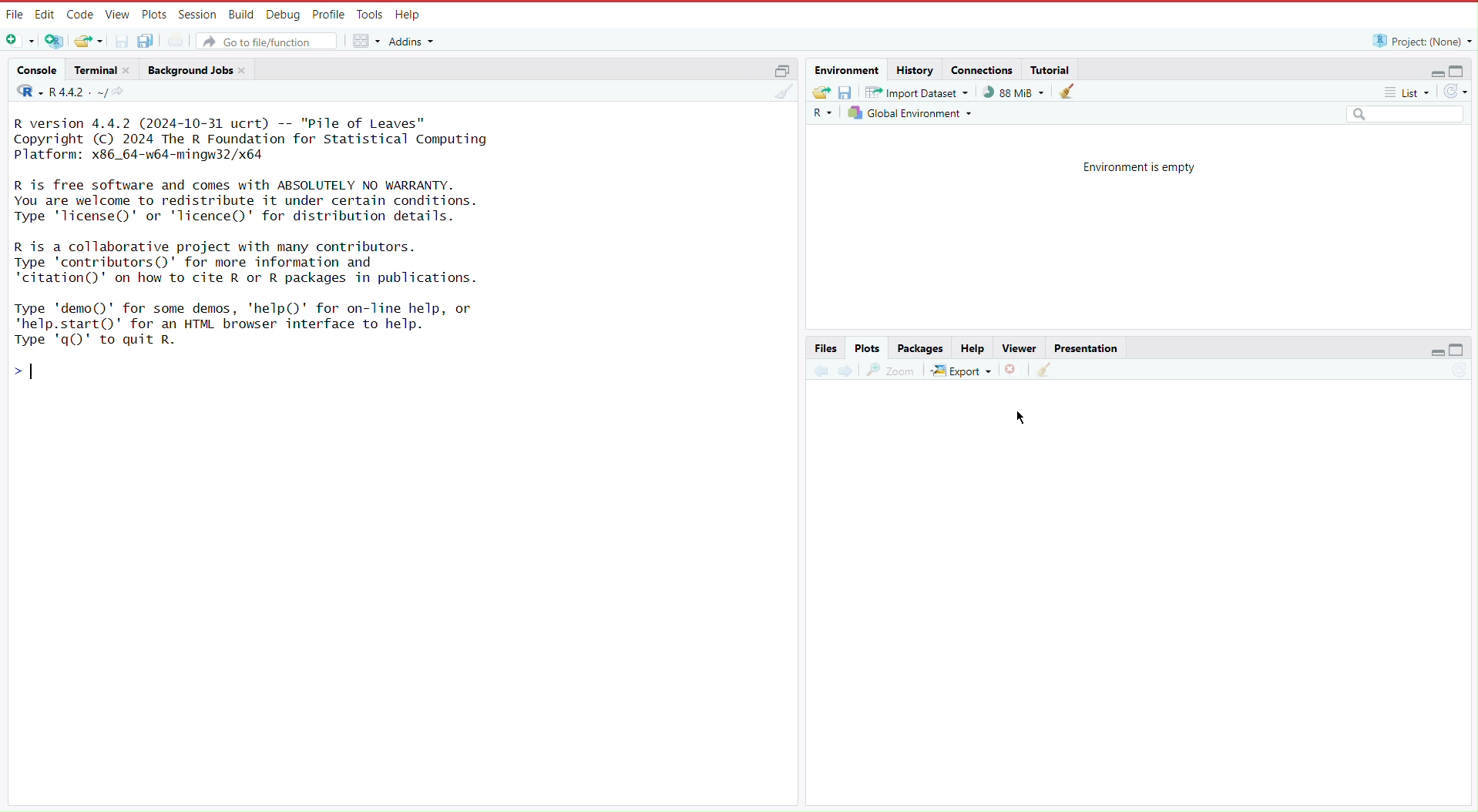  I want to click on s Plots, so click(867, 347).